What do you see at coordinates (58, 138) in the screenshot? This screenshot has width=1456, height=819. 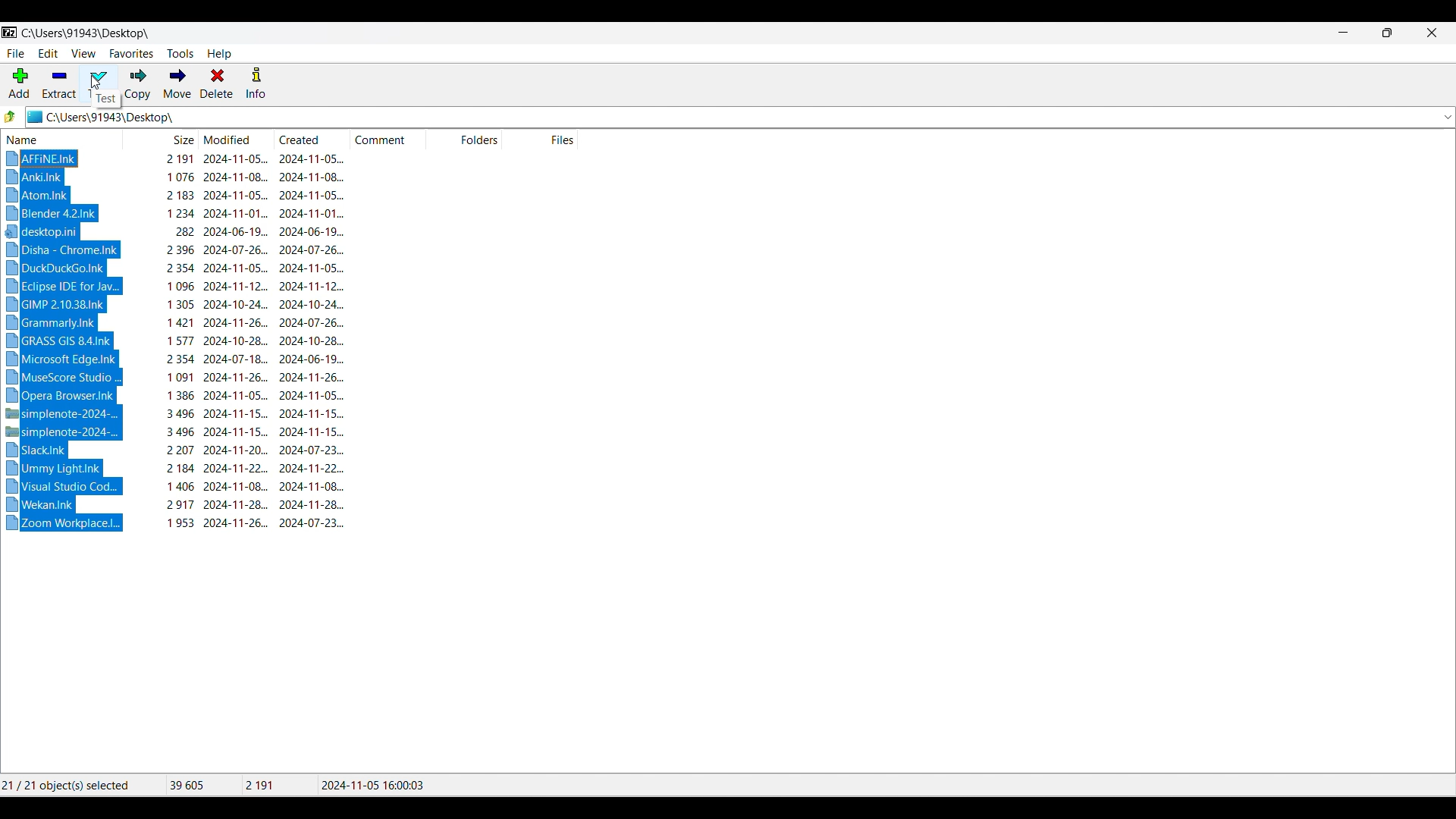 I see `Name column` at bounding box center [58, 138].